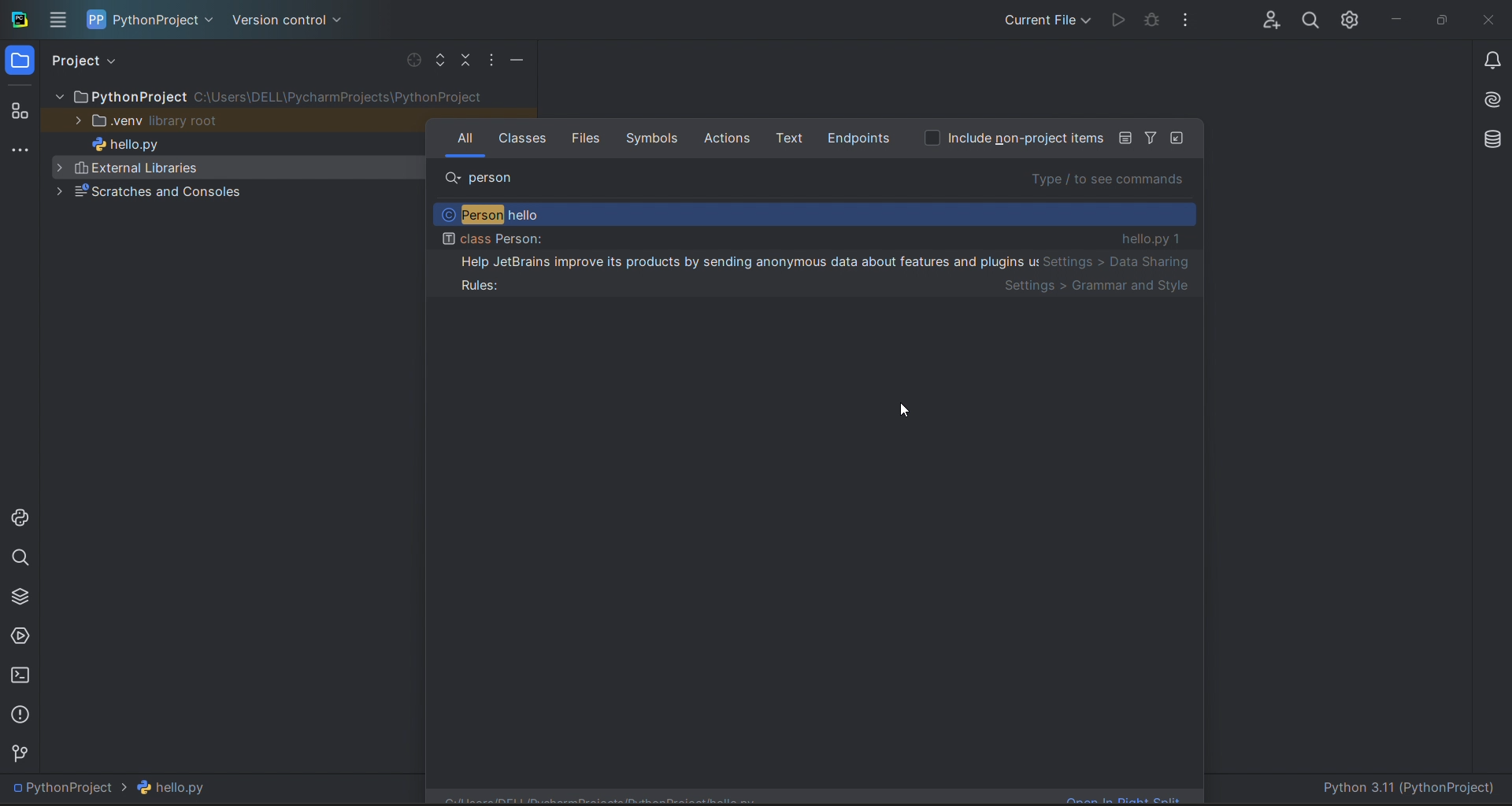  Describe the element at coordinates (235, 192) in the screenshot. I see `Scratches and consoles` at that location.